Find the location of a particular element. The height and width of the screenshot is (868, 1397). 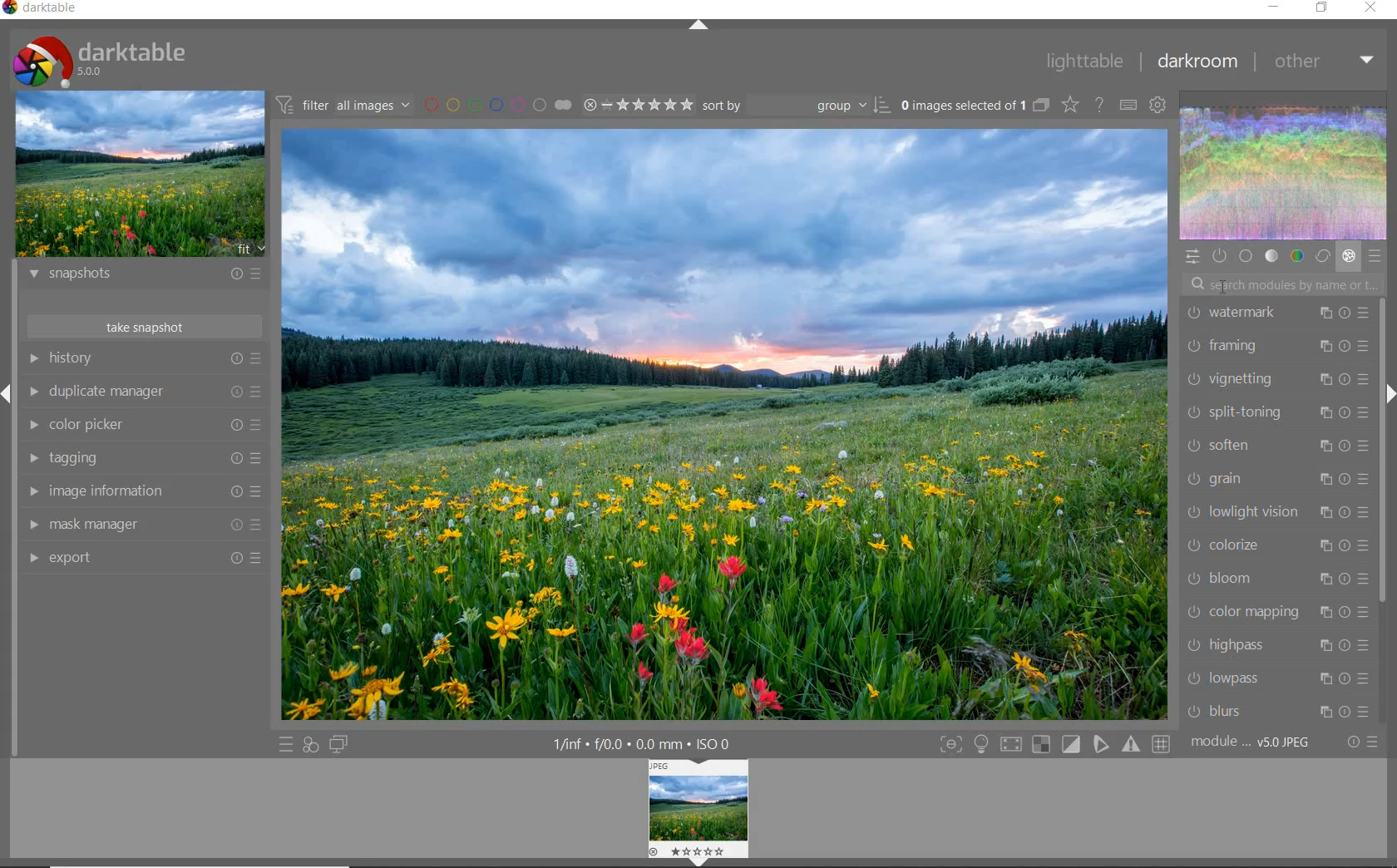

highpass is located at coordinates (1275, 644).